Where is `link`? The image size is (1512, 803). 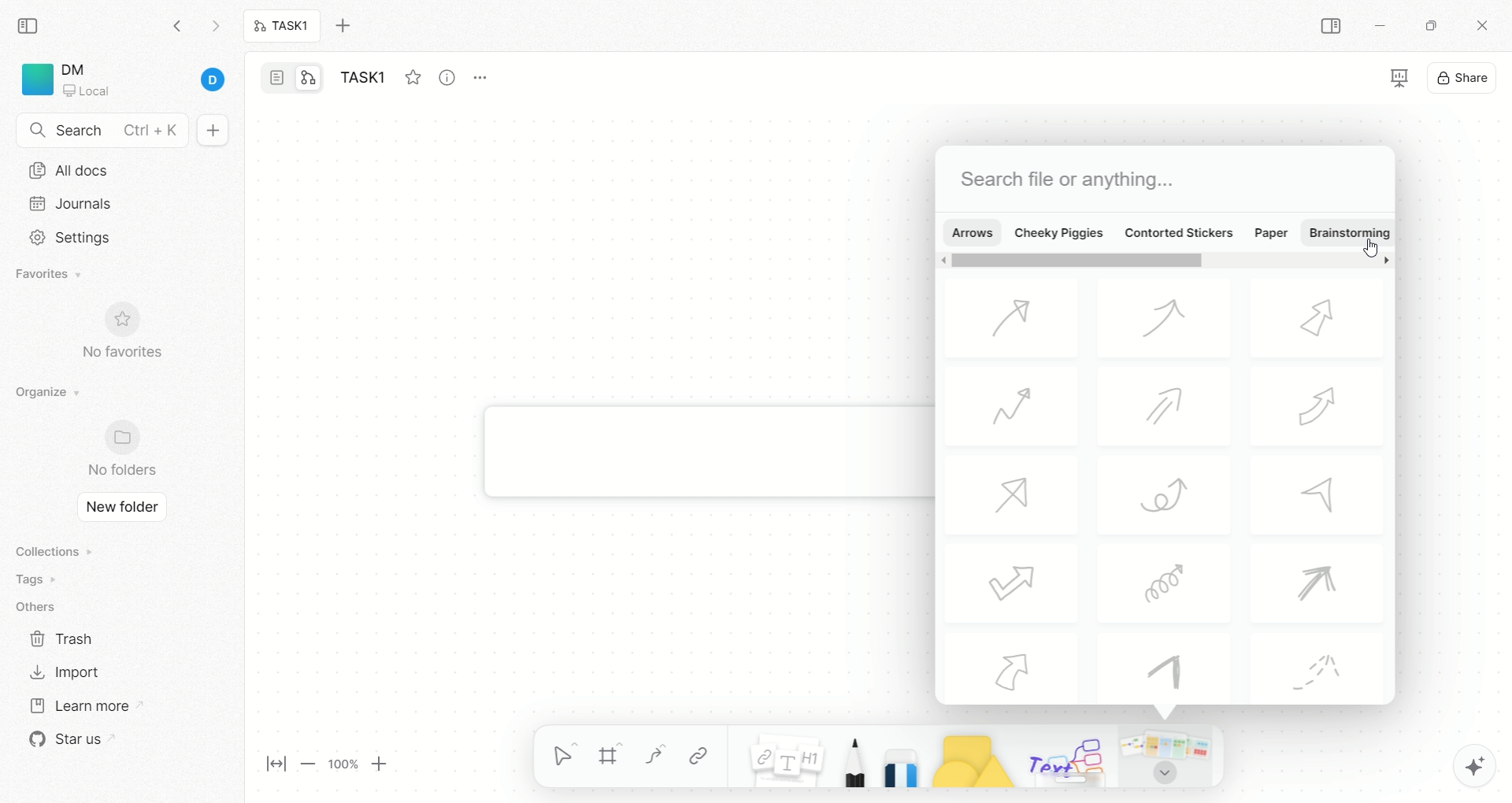
link is located at coordinates (699, 756).